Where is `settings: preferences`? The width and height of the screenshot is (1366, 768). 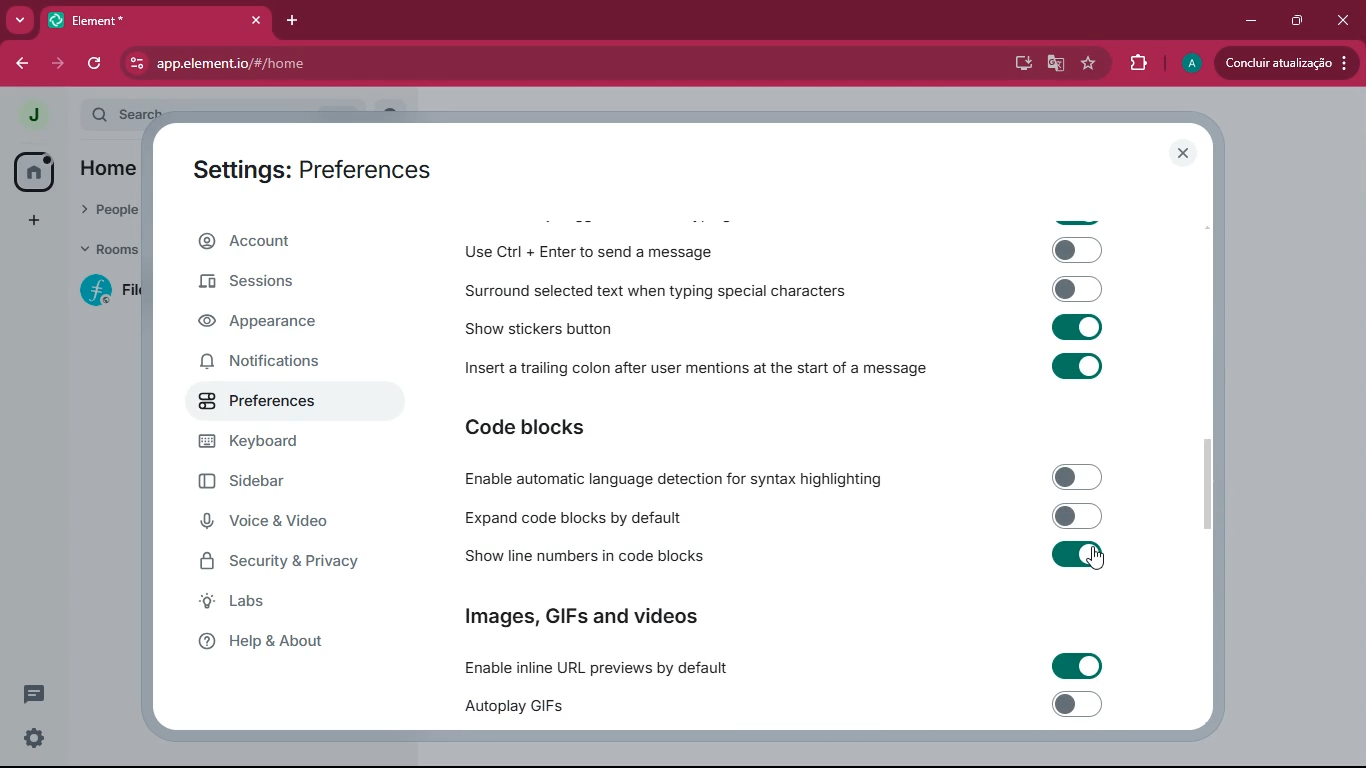 settings: preferences is located at coordinates (310, 166).